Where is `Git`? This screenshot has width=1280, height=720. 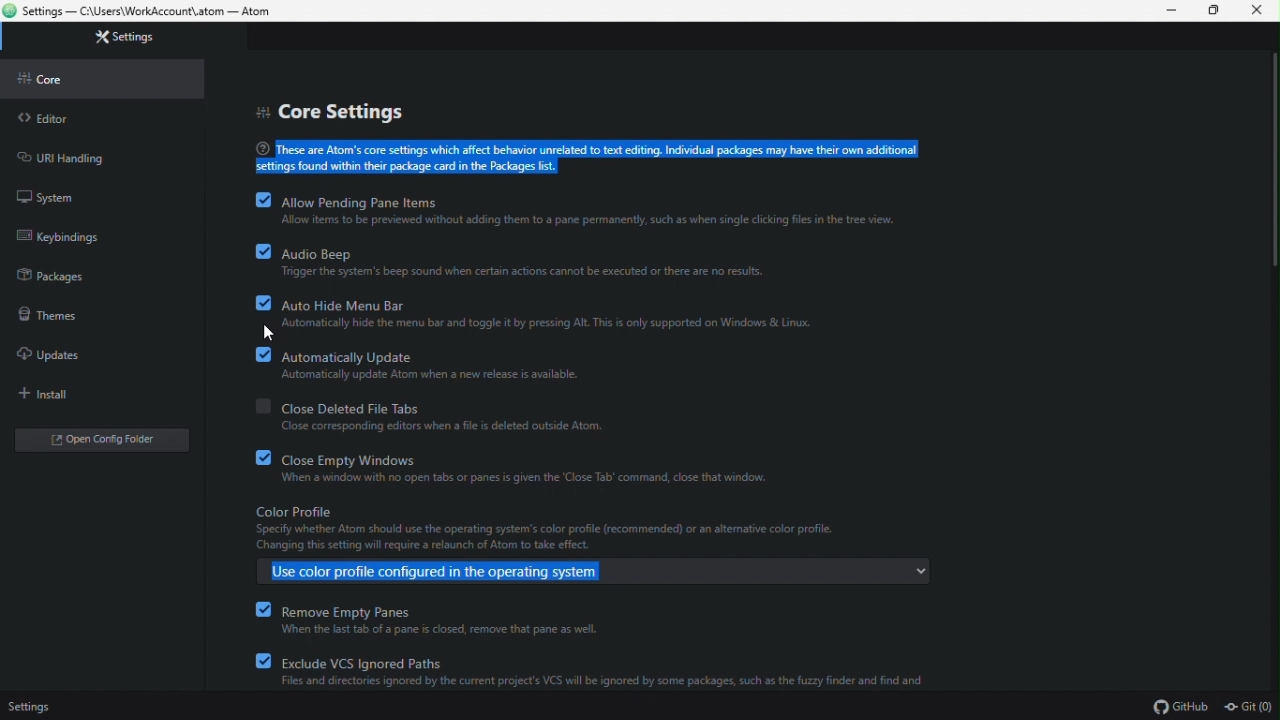
Git is located at coordinates (1251, 704).